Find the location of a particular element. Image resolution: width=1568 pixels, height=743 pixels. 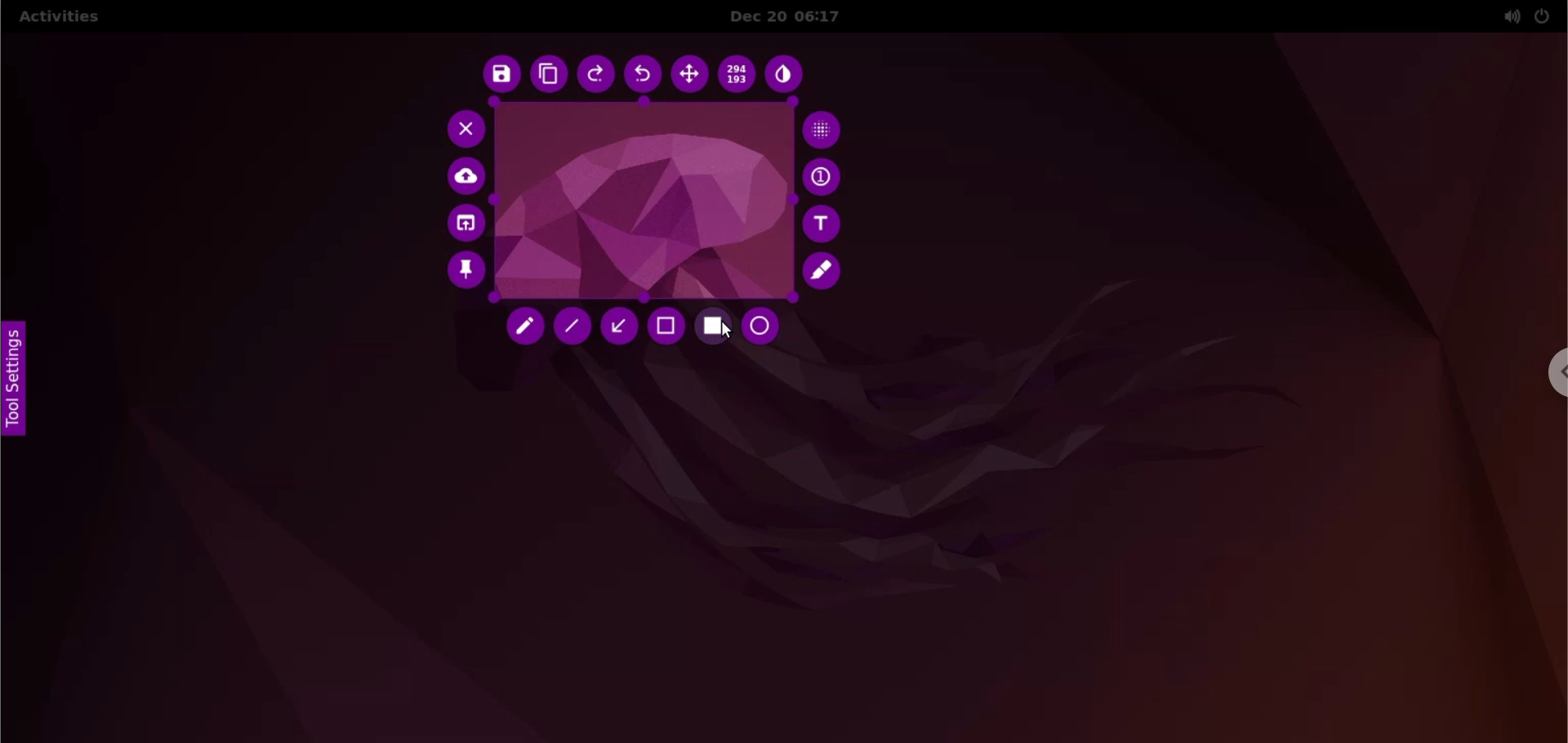

pin is located at coordinates (465, 274).